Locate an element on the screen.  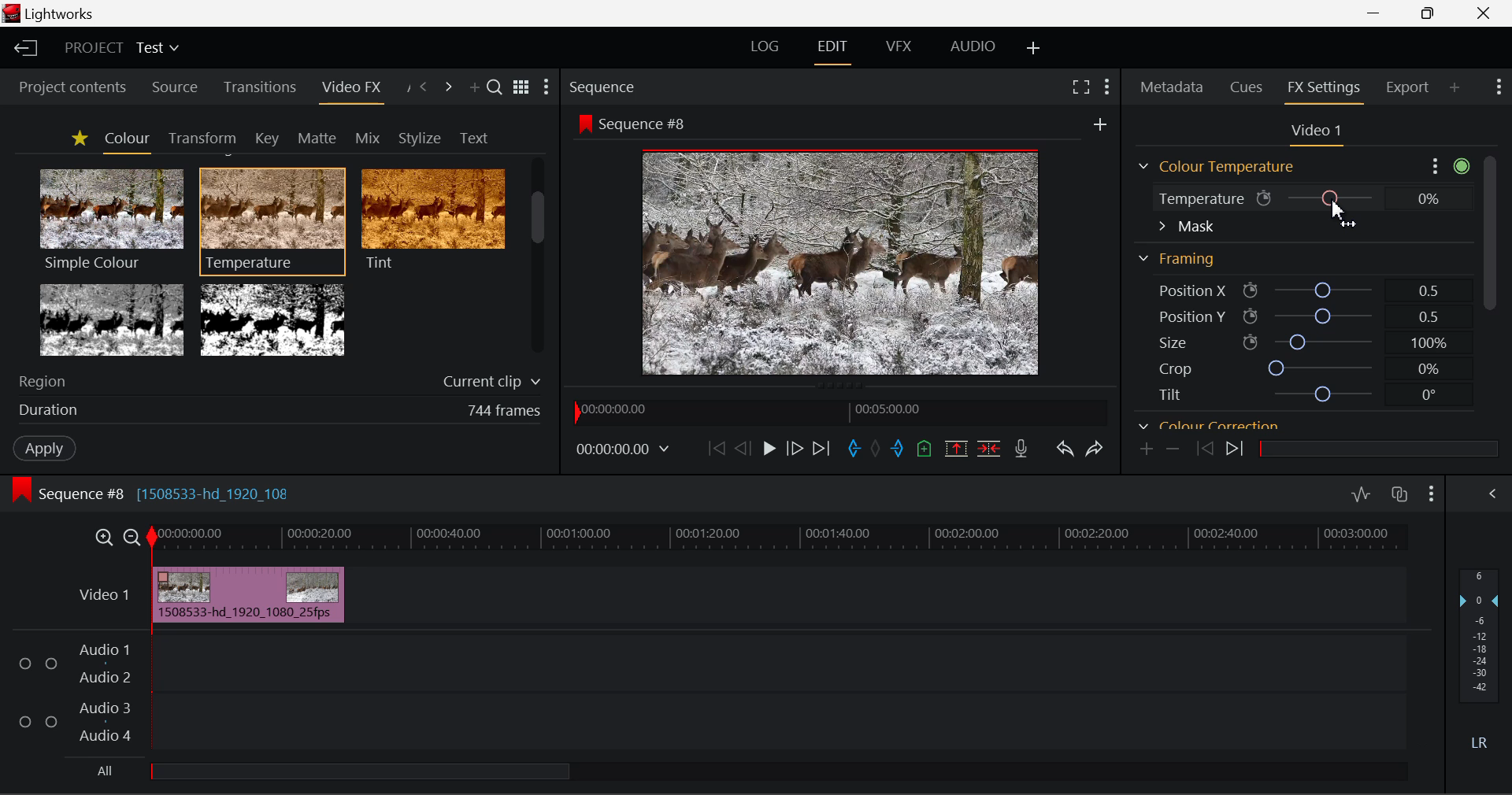
Sequence #8 is located at coordinates (649, 125).